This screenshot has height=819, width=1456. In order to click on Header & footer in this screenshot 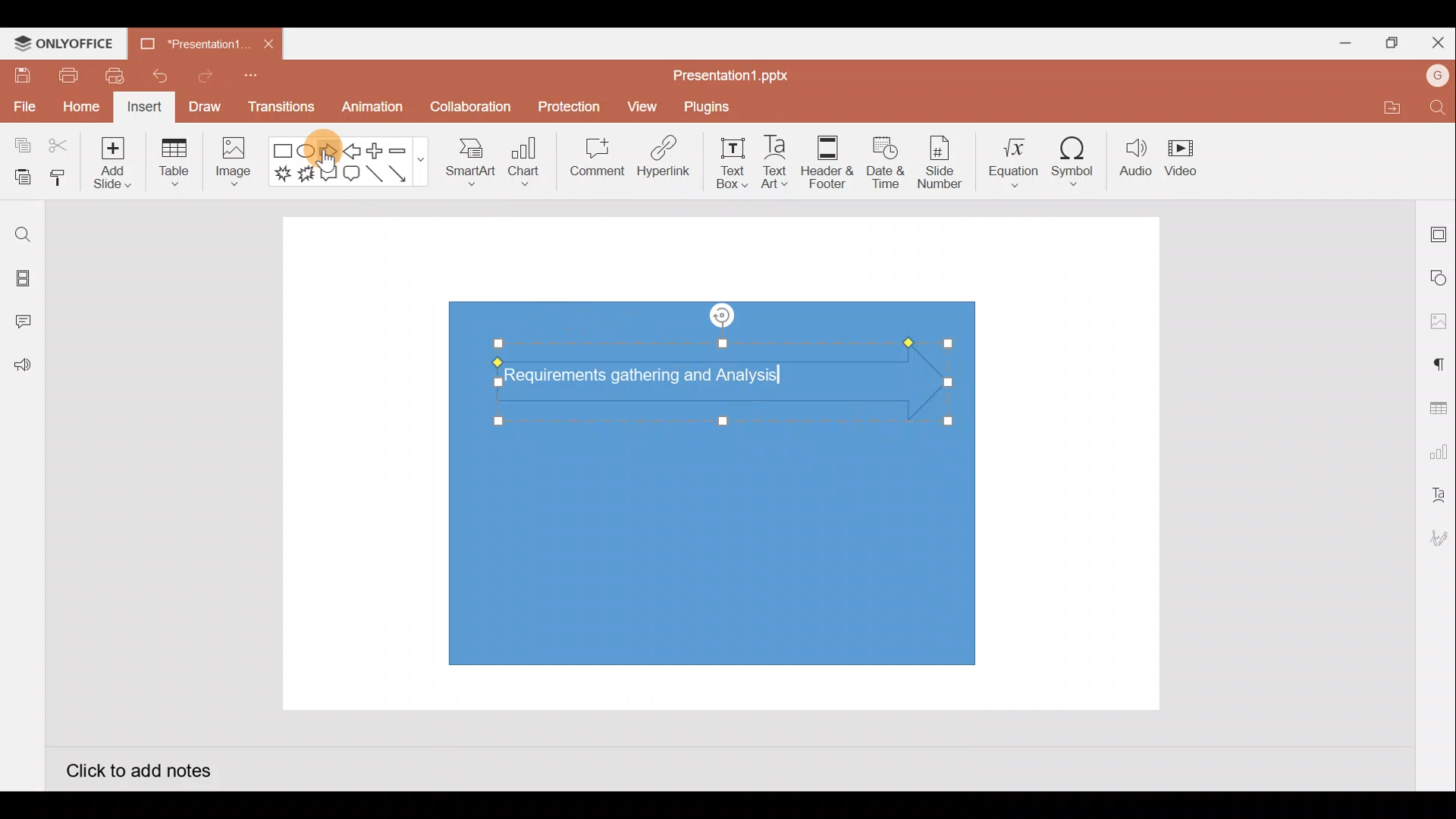, I will do `click(828, 158)`.